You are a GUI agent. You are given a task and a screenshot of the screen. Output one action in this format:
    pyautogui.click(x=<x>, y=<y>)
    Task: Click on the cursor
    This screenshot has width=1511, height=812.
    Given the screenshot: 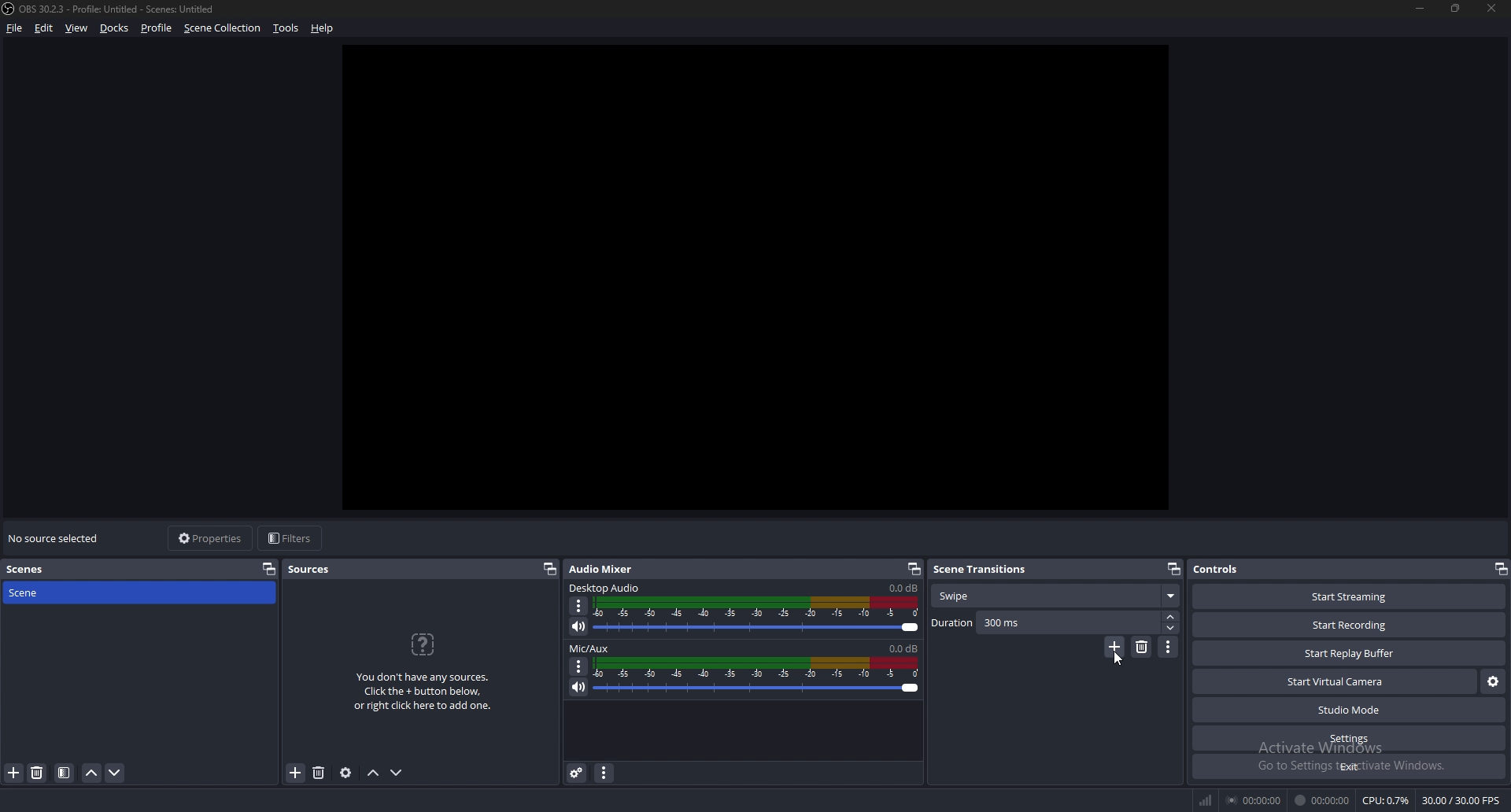 What is the action you would take?
    pyautogui.click(x=1114, y=659)
    